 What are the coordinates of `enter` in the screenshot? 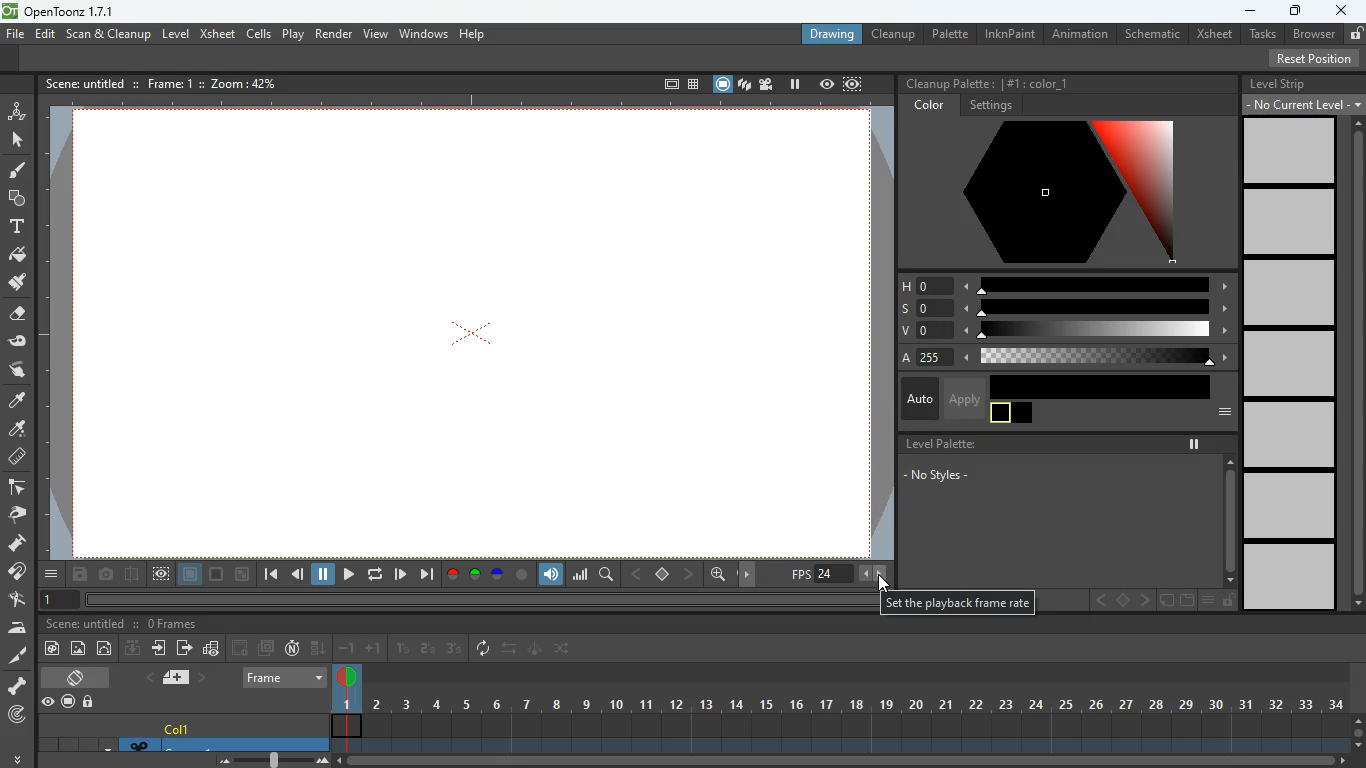 It's located at (157, 647).